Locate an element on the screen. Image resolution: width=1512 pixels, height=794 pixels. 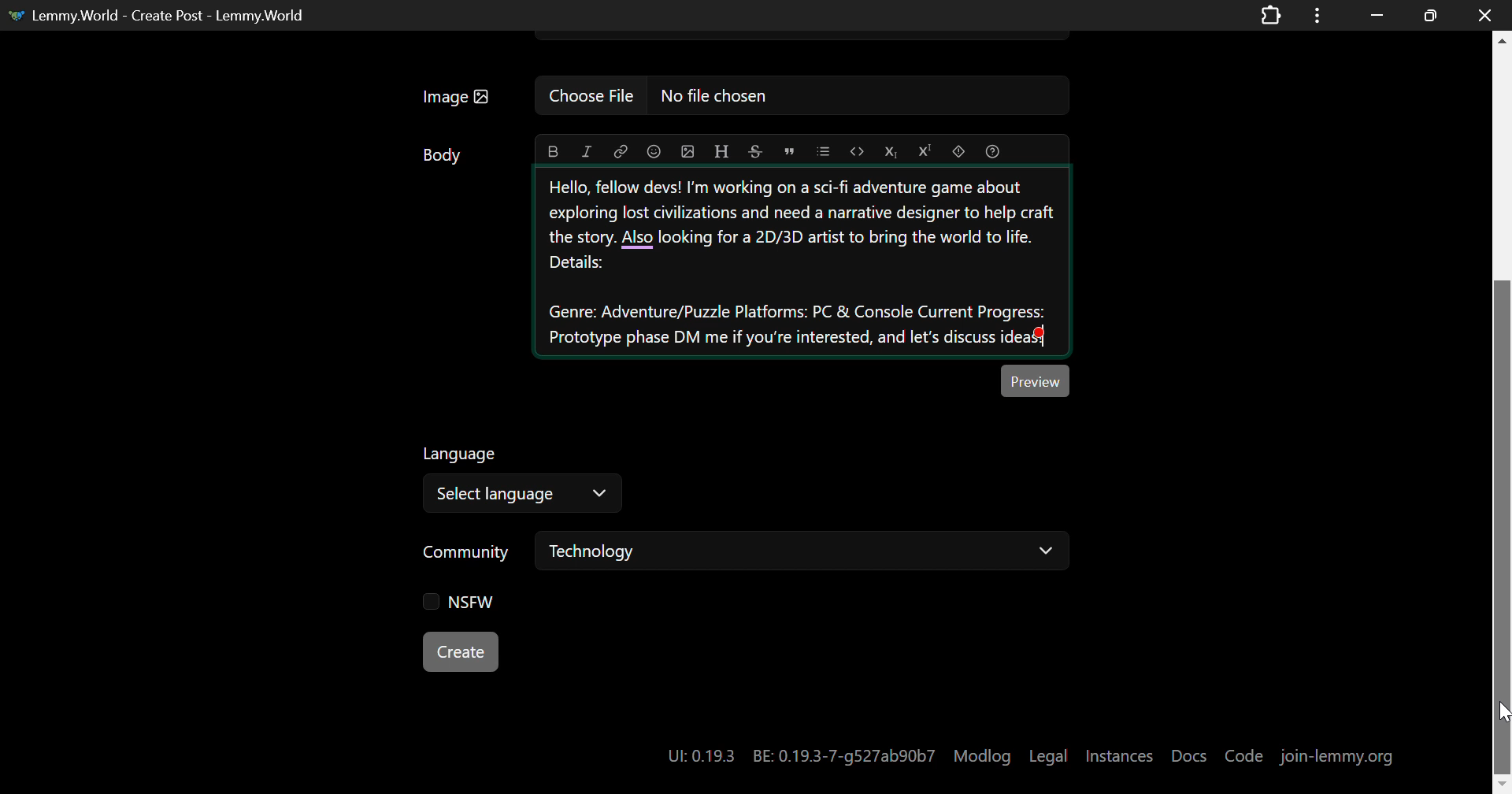
formatting help is located at coordinates (992, 150).